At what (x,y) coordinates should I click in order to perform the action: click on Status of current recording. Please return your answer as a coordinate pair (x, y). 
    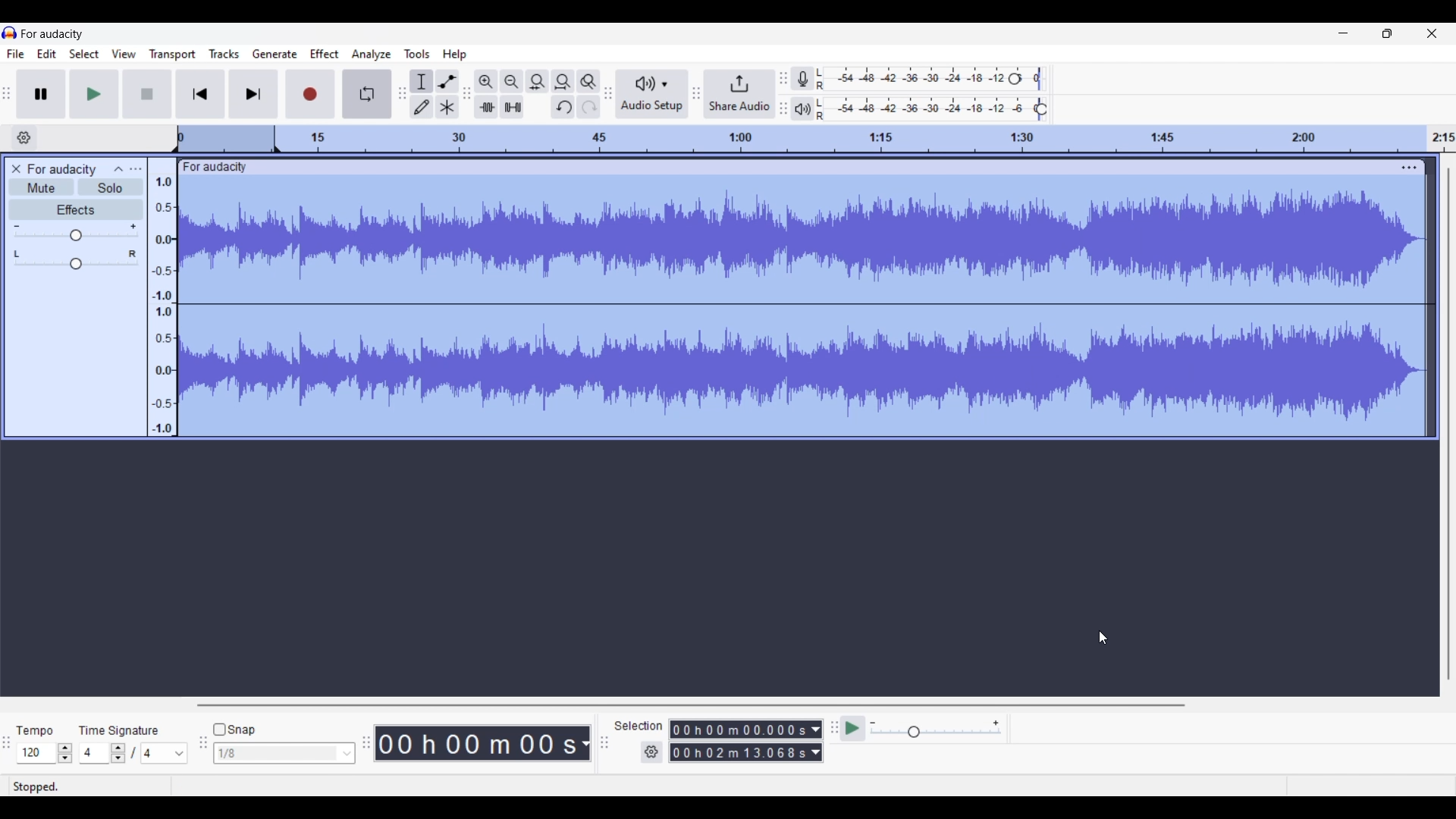
    Looking at the image, I should click on (88, 787).